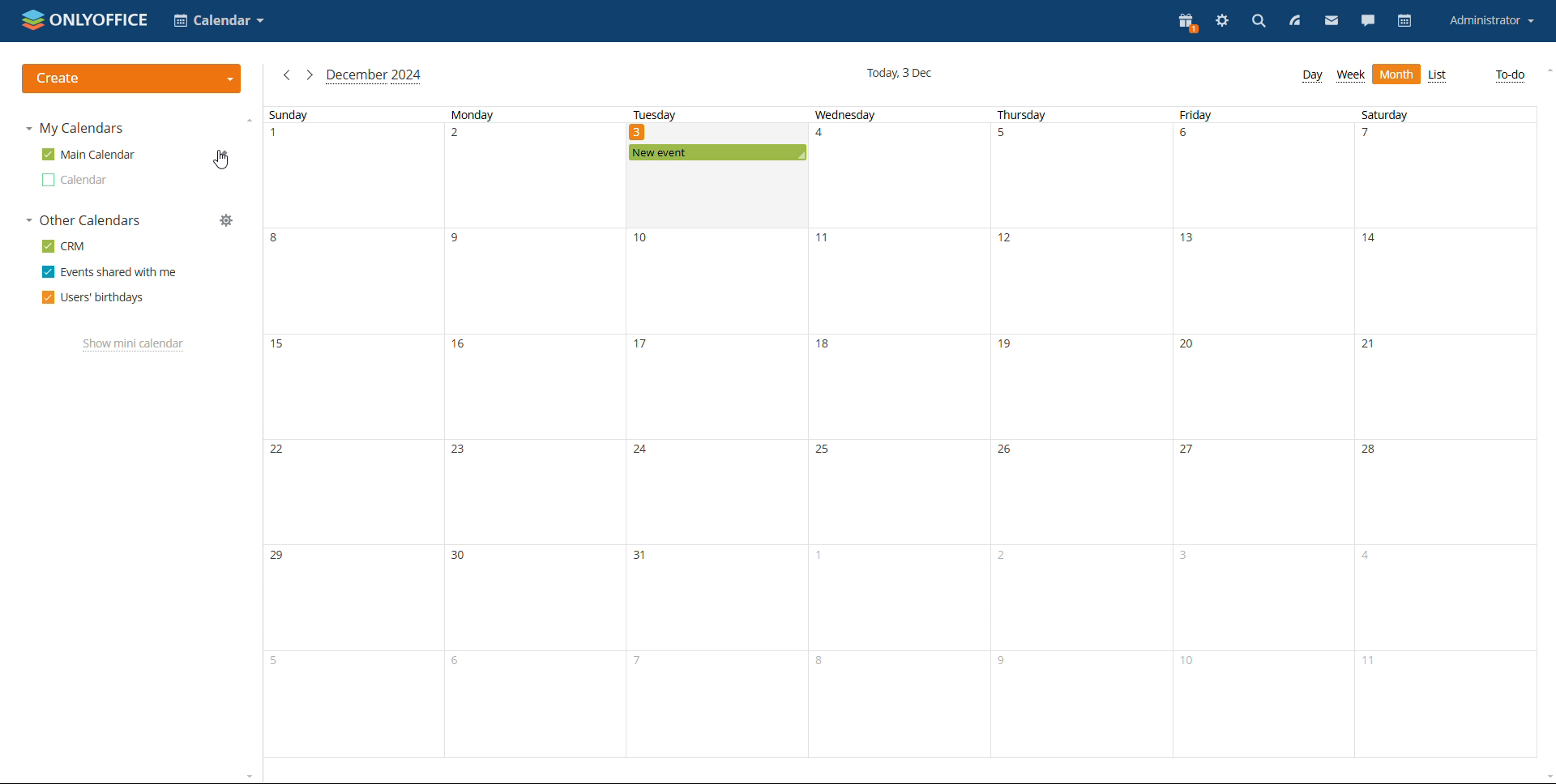 This screenshot has height=784, width=1556. Describe the element at coordinates (1081, 389) in the screenshot. I see `date` at that location.